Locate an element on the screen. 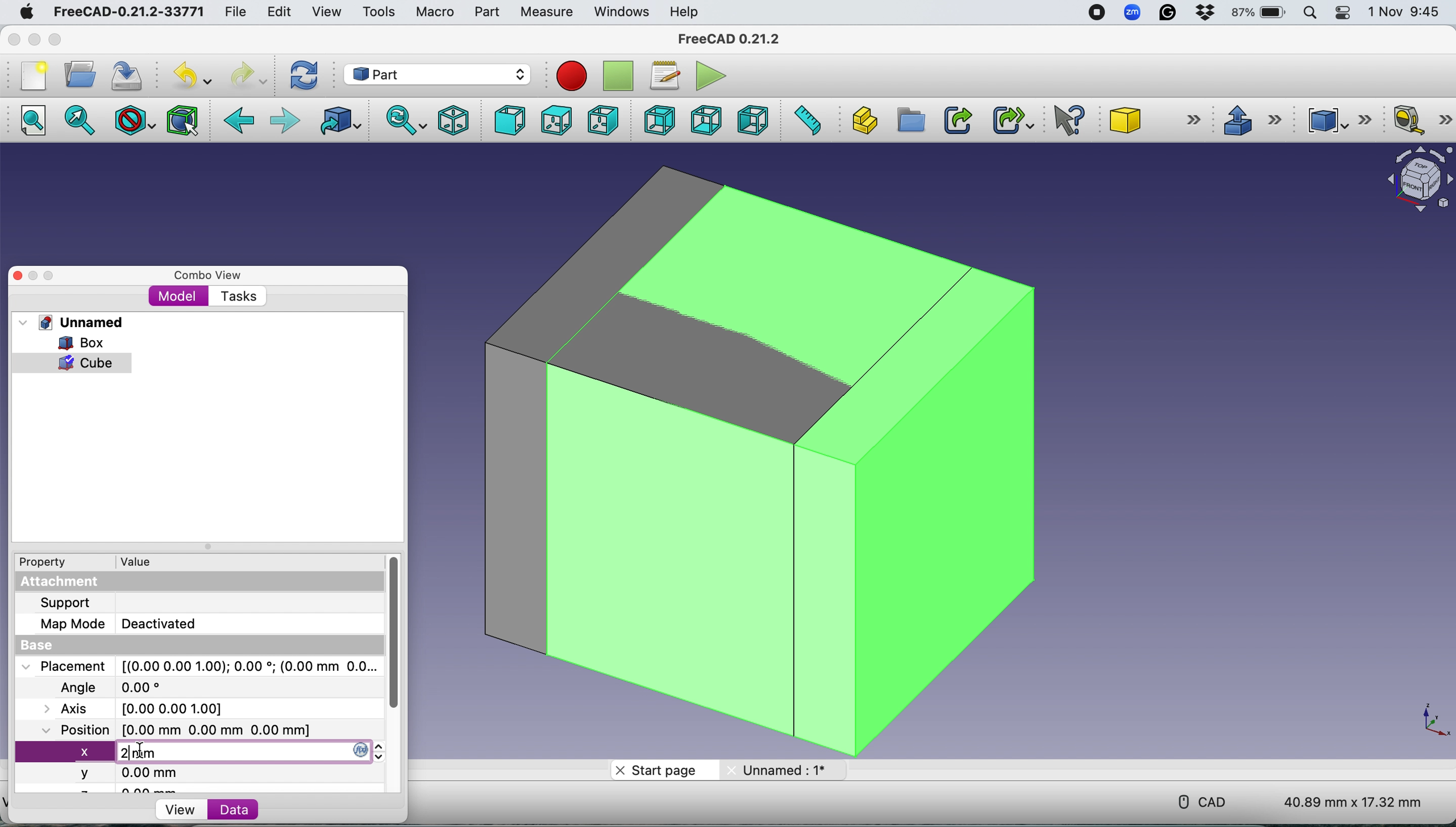 This screenshot has width=1456, height=827. System logo is located at coordinates (25, 12).